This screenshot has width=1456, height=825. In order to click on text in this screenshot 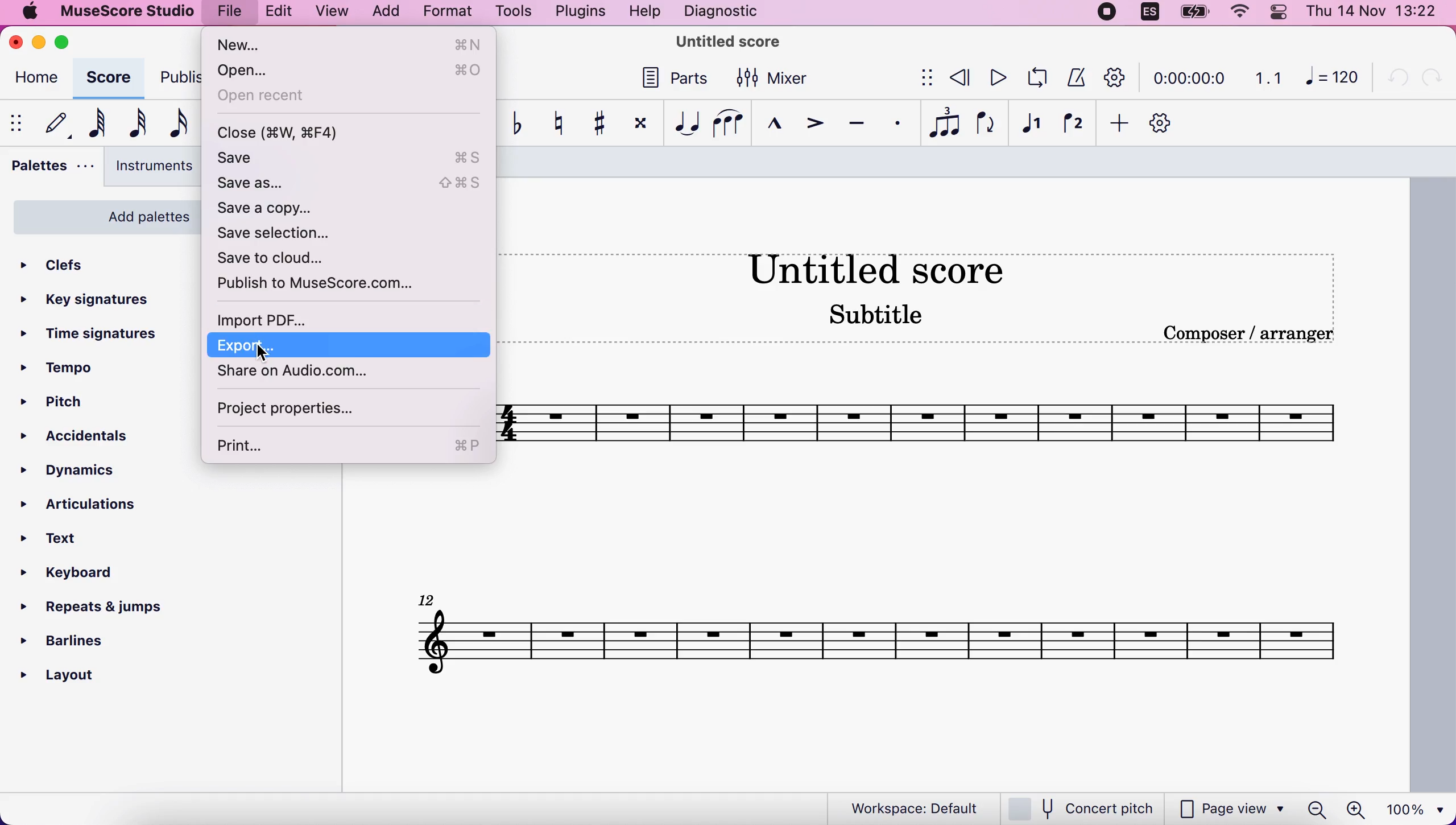, I will do `click(69, 542)`.